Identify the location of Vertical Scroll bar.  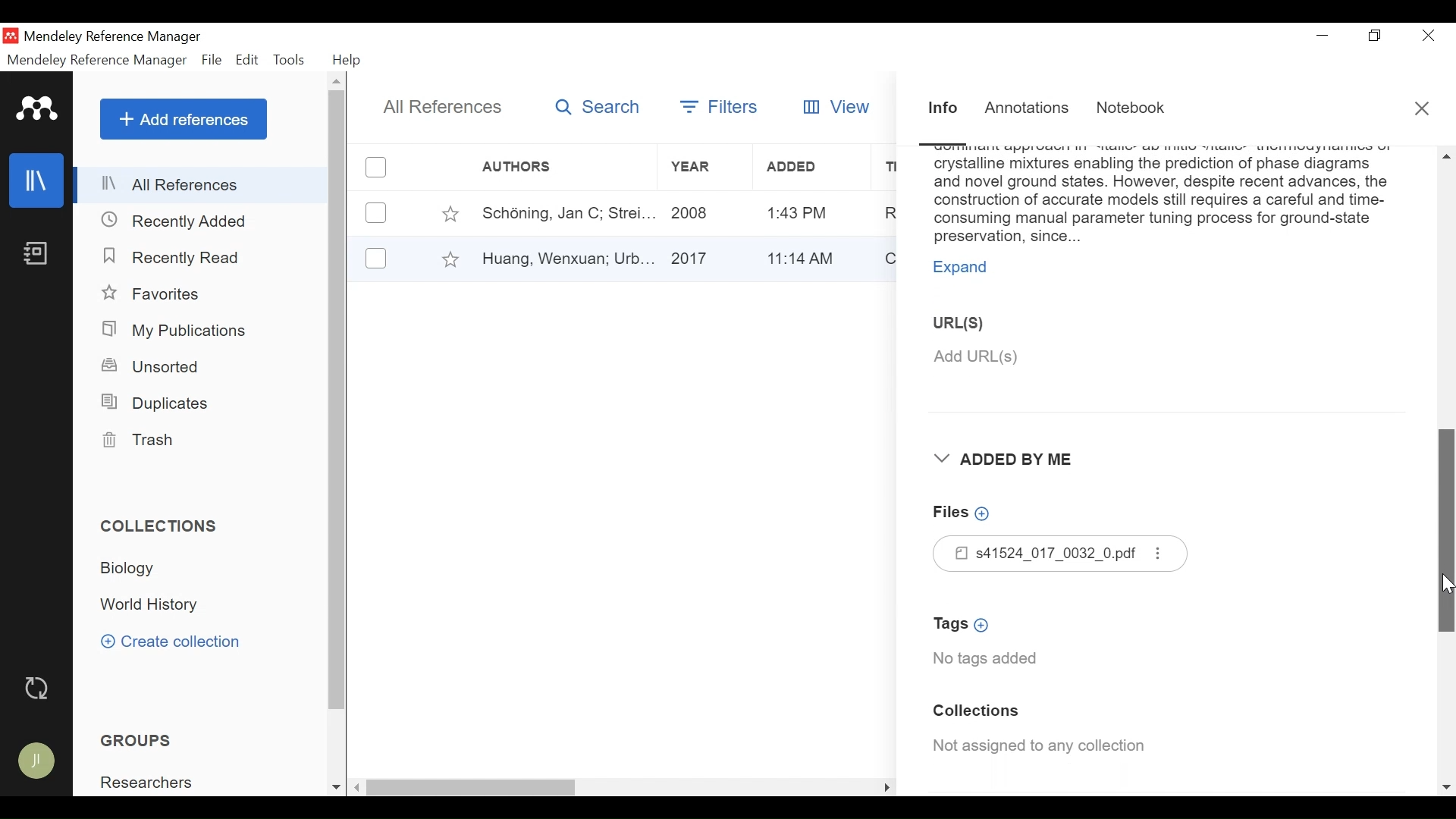
(1447, 529).